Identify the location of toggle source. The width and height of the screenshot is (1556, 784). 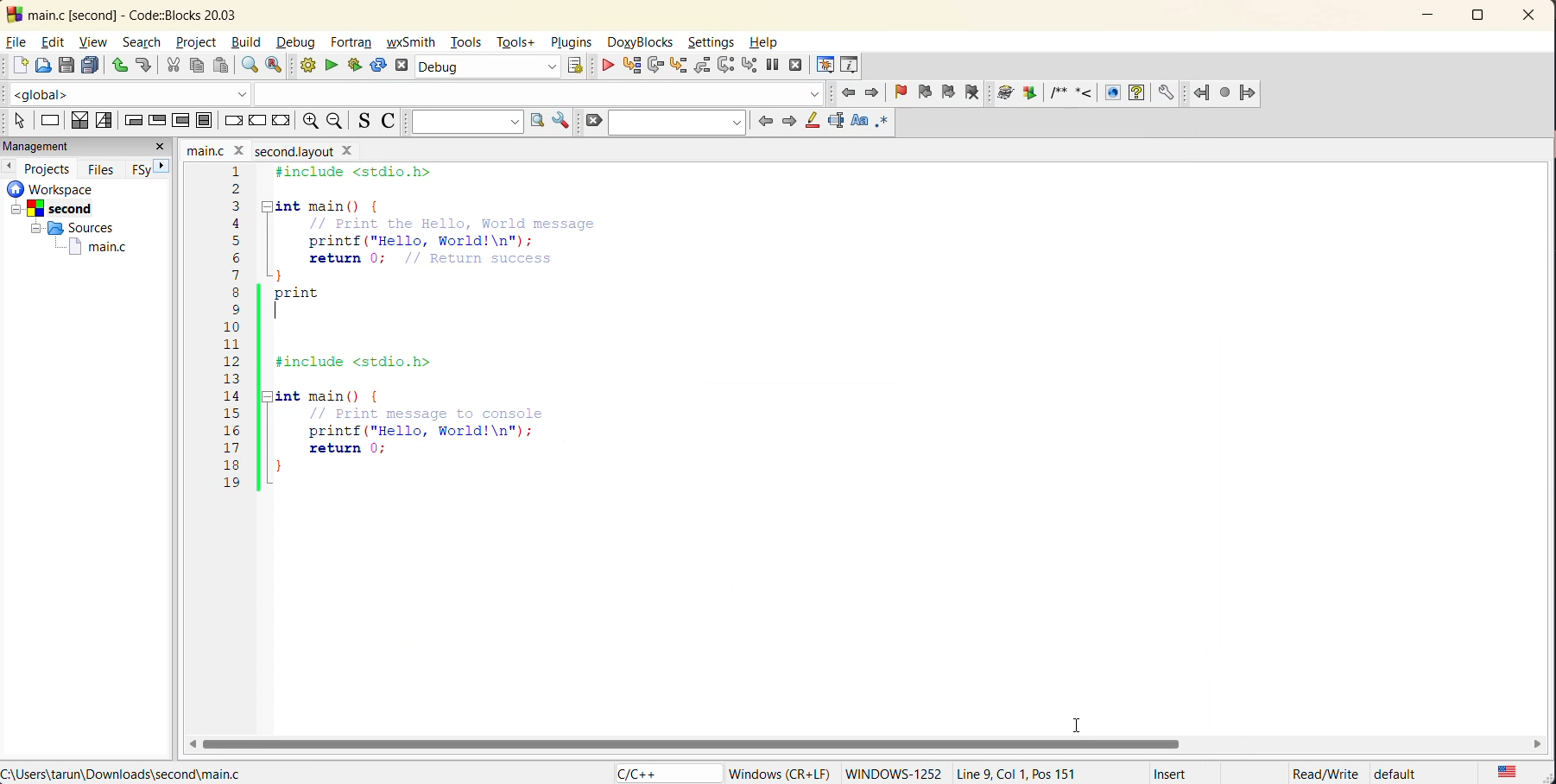
(367, 123).